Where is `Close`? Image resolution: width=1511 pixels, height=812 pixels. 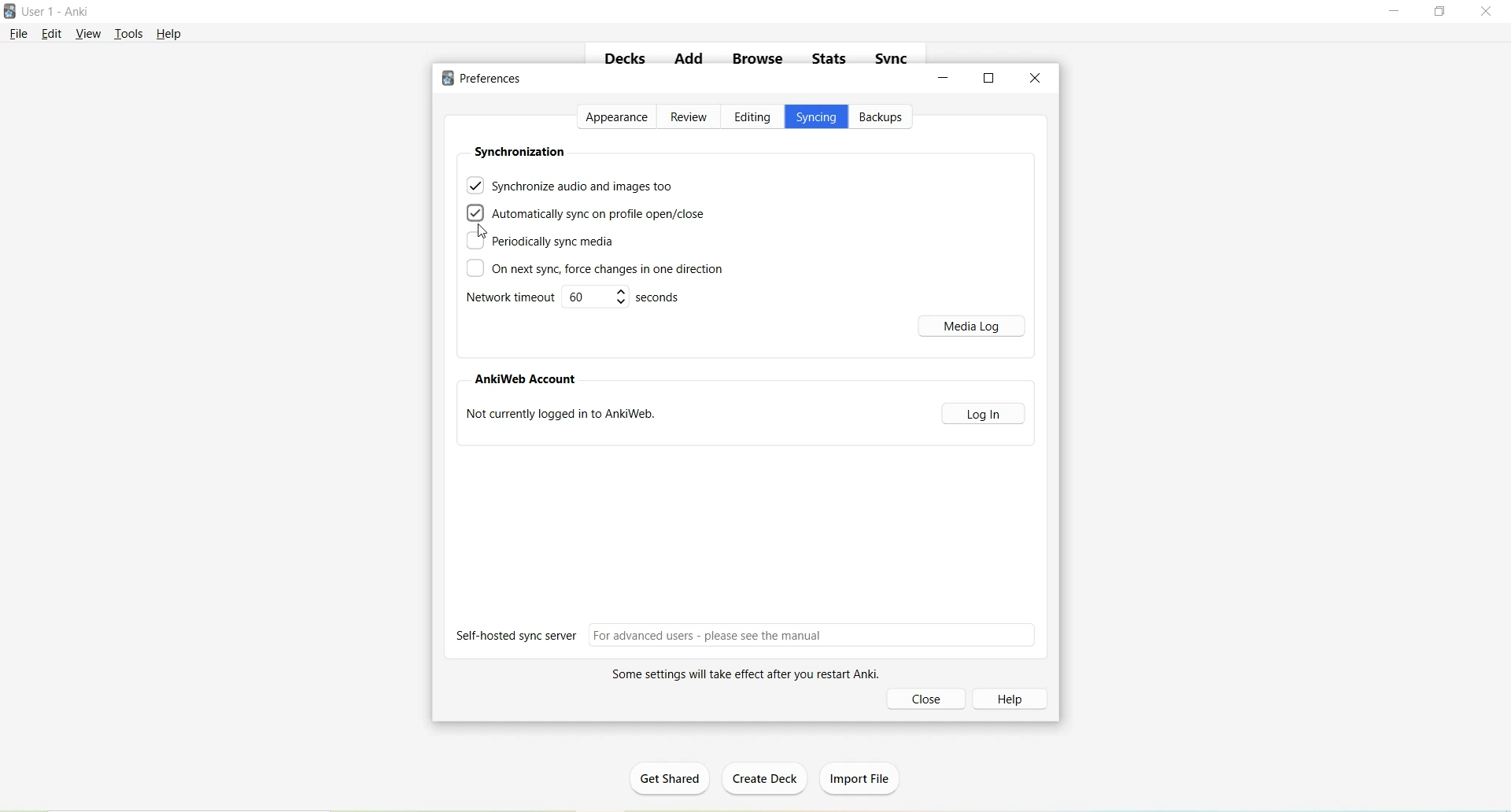 Close is located at coordinates (929, 699).